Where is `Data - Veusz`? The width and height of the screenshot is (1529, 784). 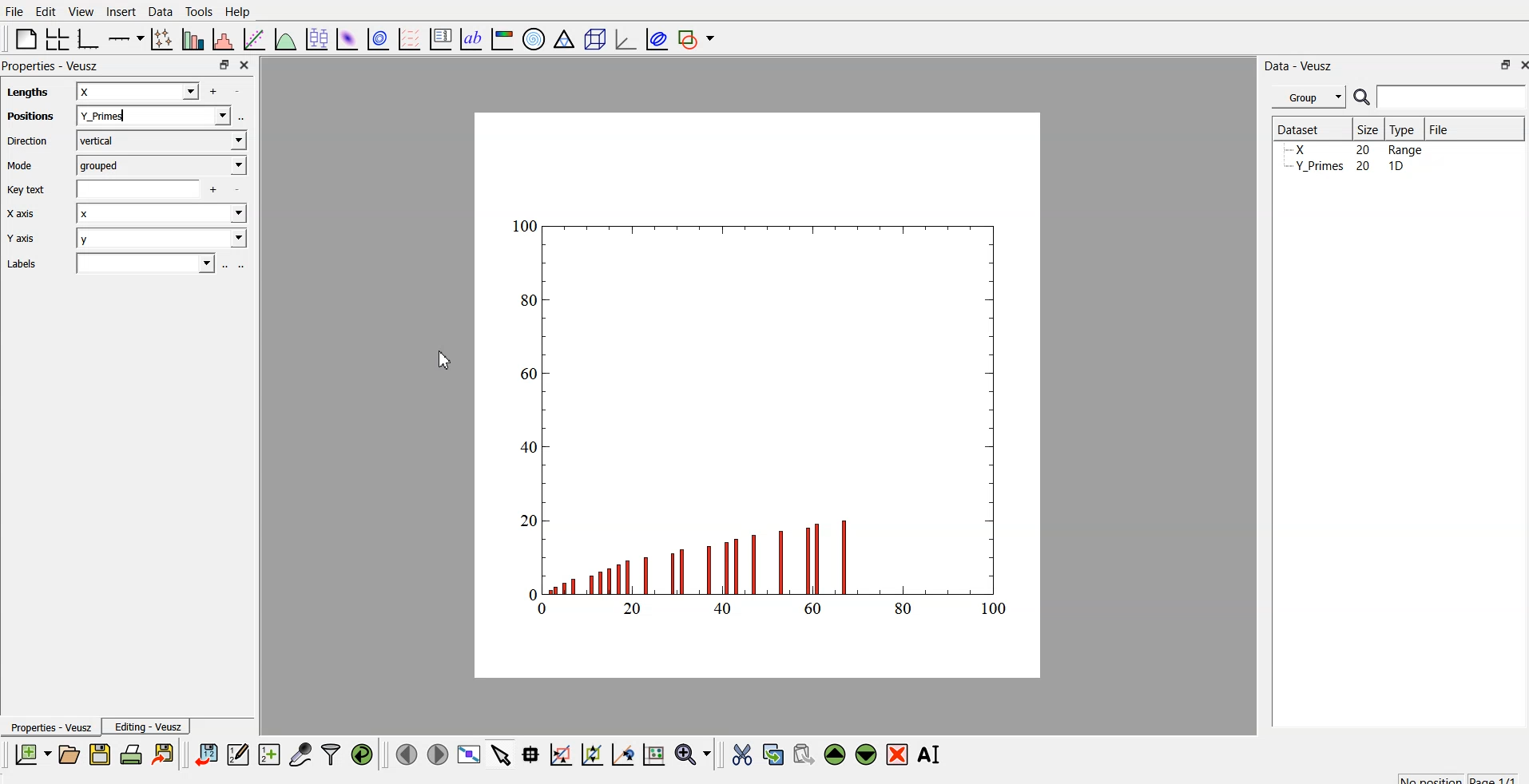 Data - Veusz is located at coordinates (1301, 63).